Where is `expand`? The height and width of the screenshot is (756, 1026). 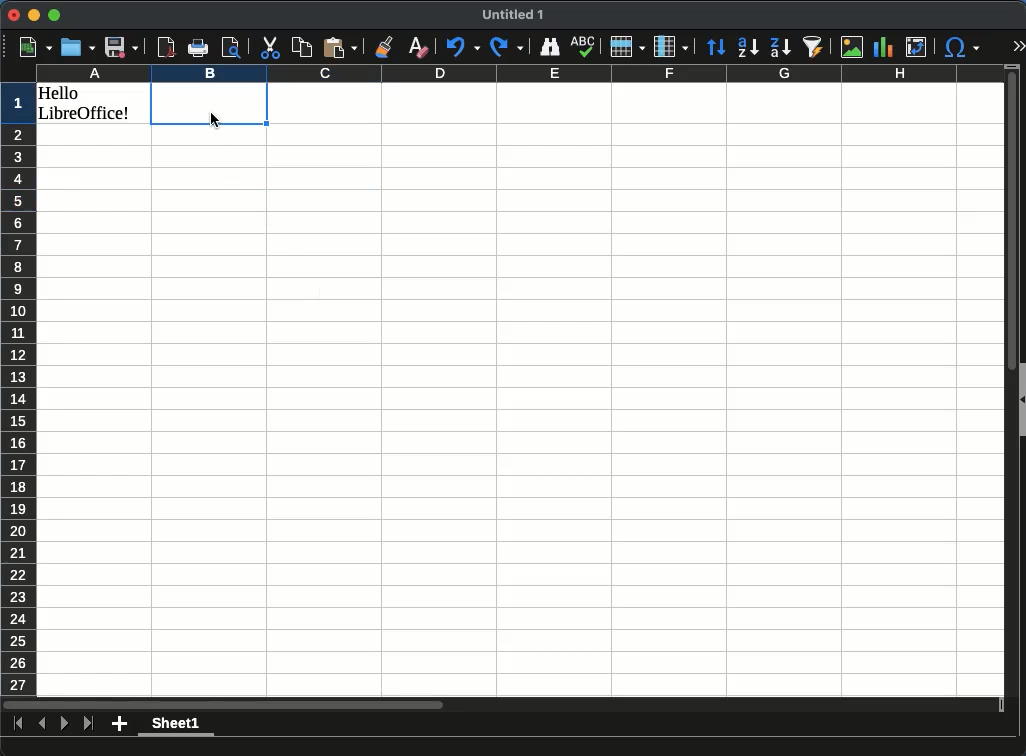
expand is located at coordinates (1020, 47).